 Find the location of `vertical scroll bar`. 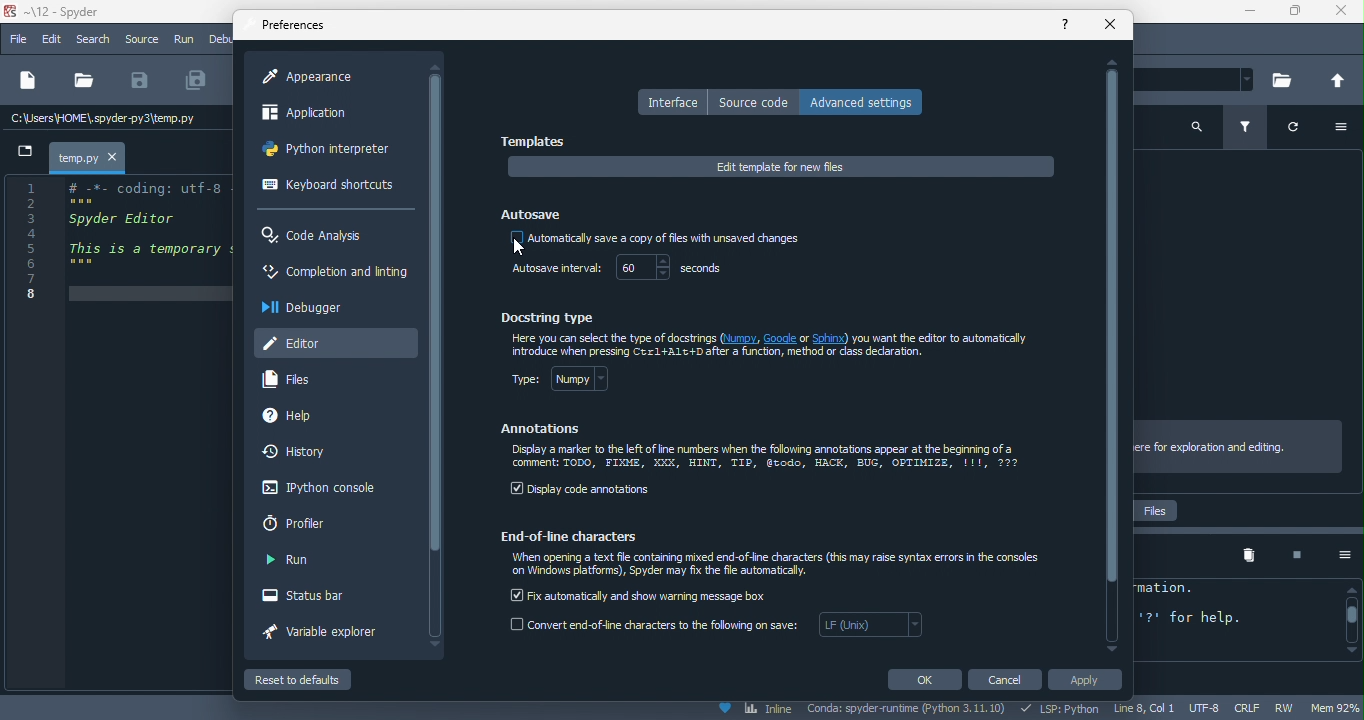

vertical scroll bar is located at coordinates (436, 313).